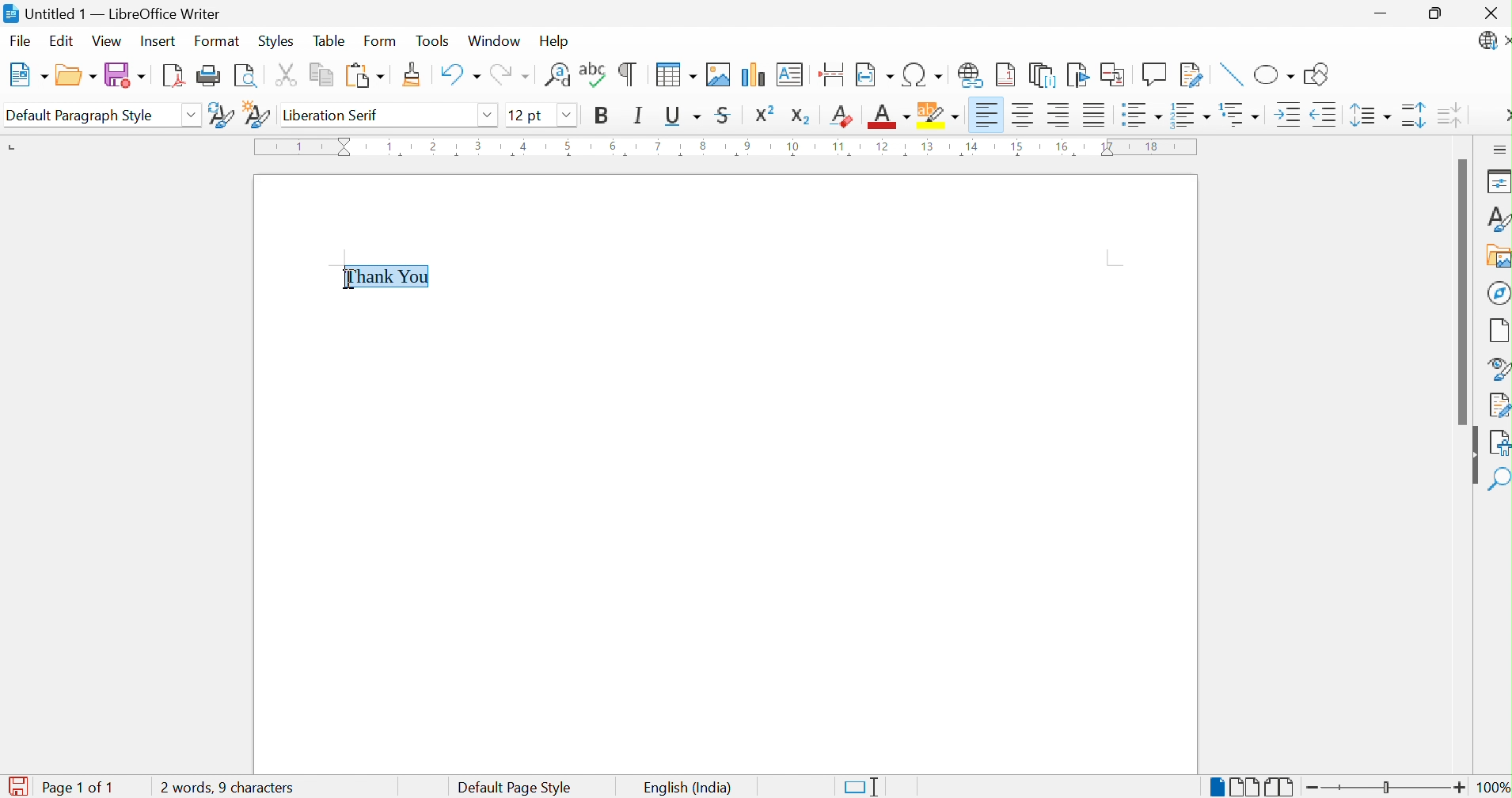 The width and height of the screenshot is (1512, 798). What do you see at coordinates (108, 42) in the screenshot?
I see `View` at bounding box center [108, 42].